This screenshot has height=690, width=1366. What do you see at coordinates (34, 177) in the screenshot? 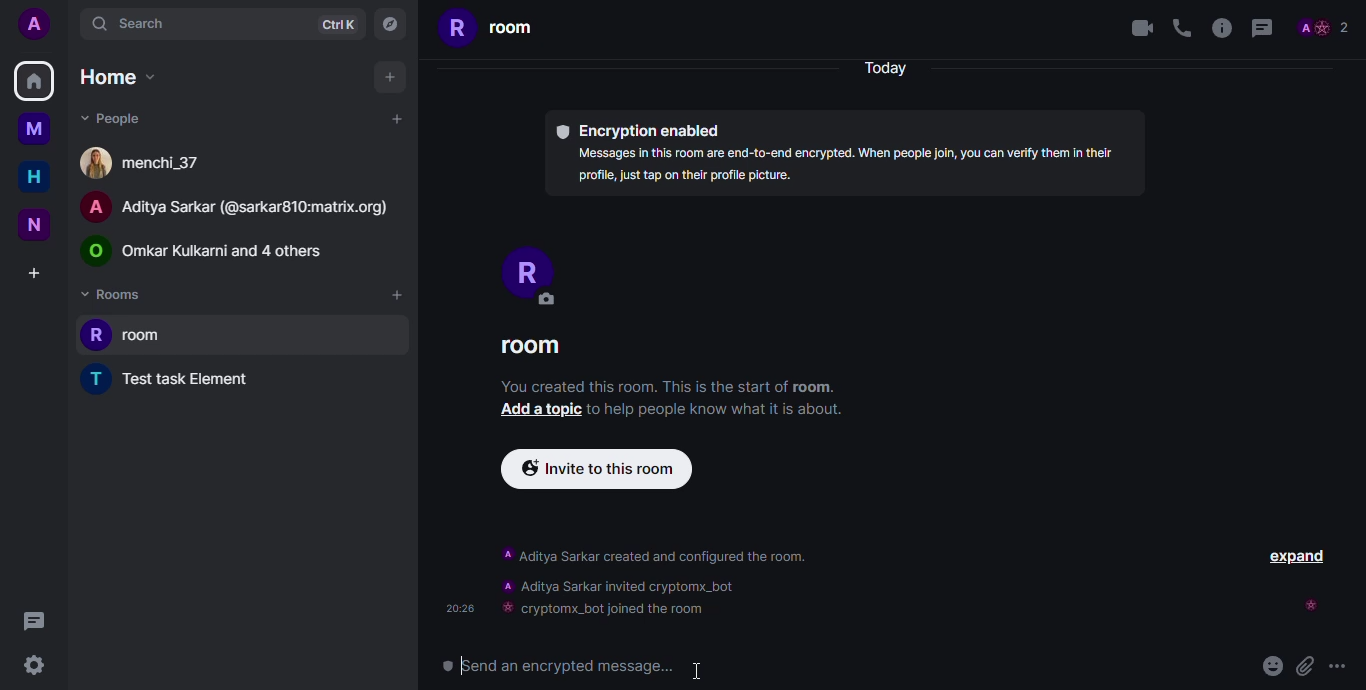
I see `home` at bounding box center [34, 177].